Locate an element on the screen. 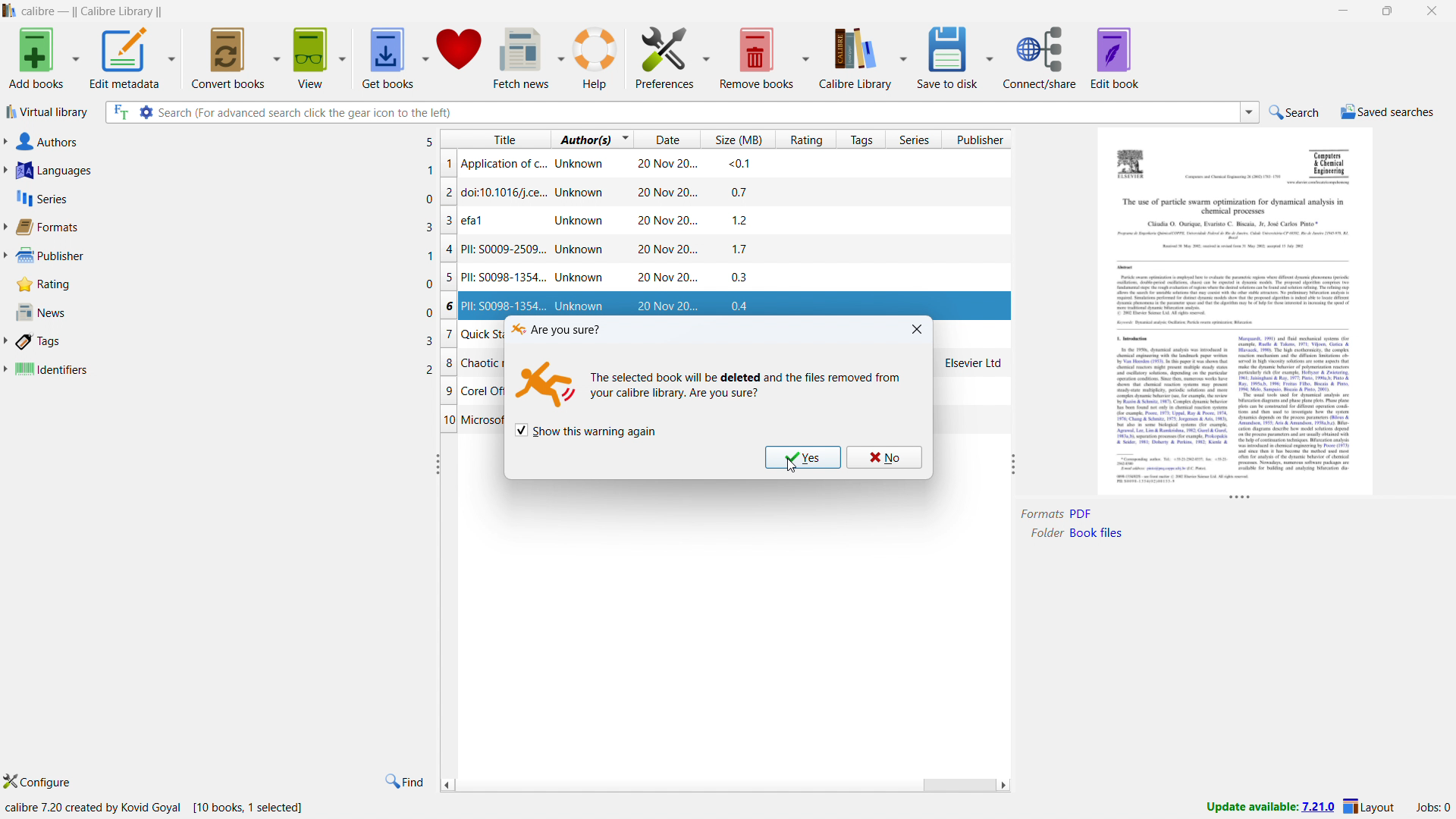 The width and height of the screenshot is (1456, 819). edit metadata  is located at coordinates (125, 56).